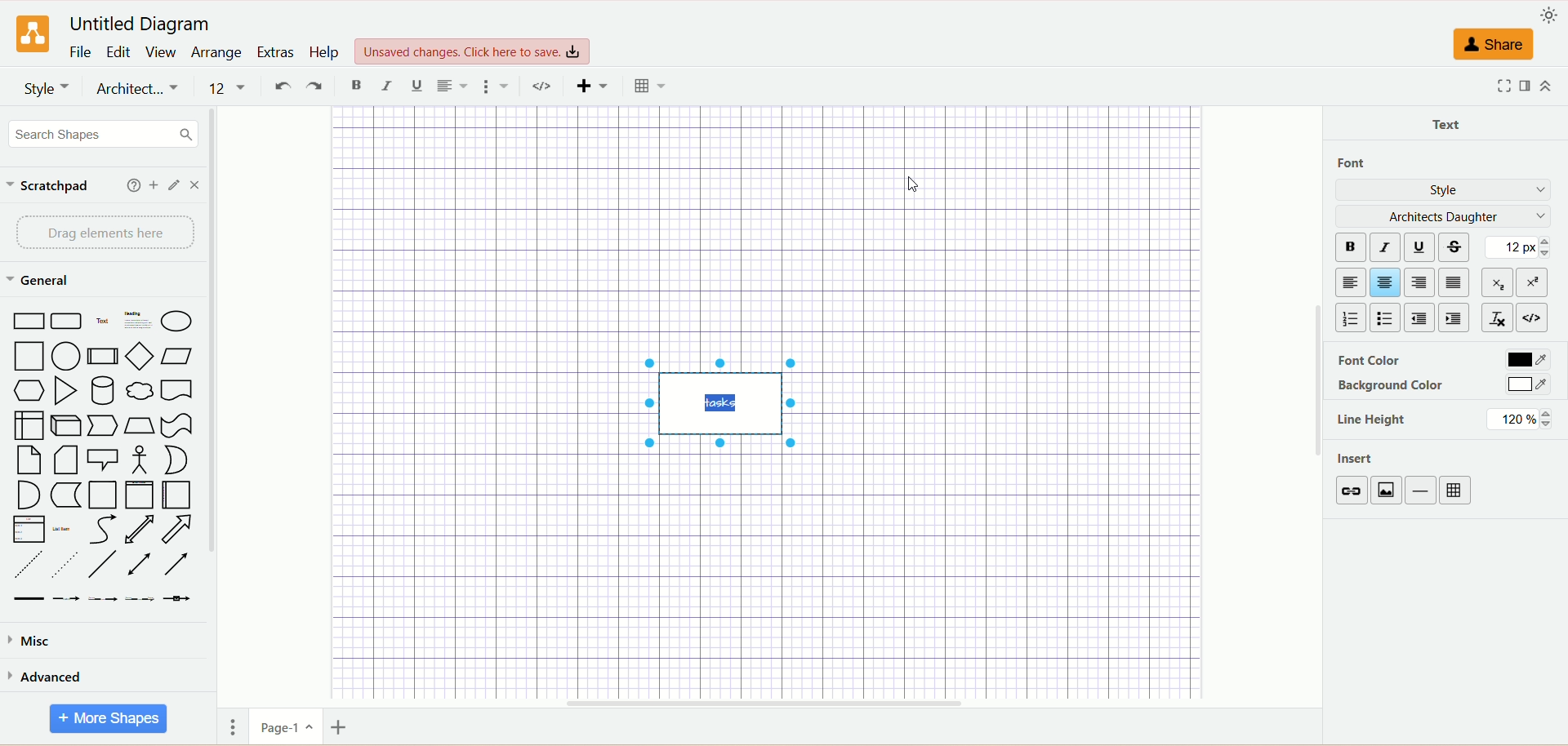  Describe the element at coordinates (140, 461) in the screenshot. I see `Stick Figure` at that location.